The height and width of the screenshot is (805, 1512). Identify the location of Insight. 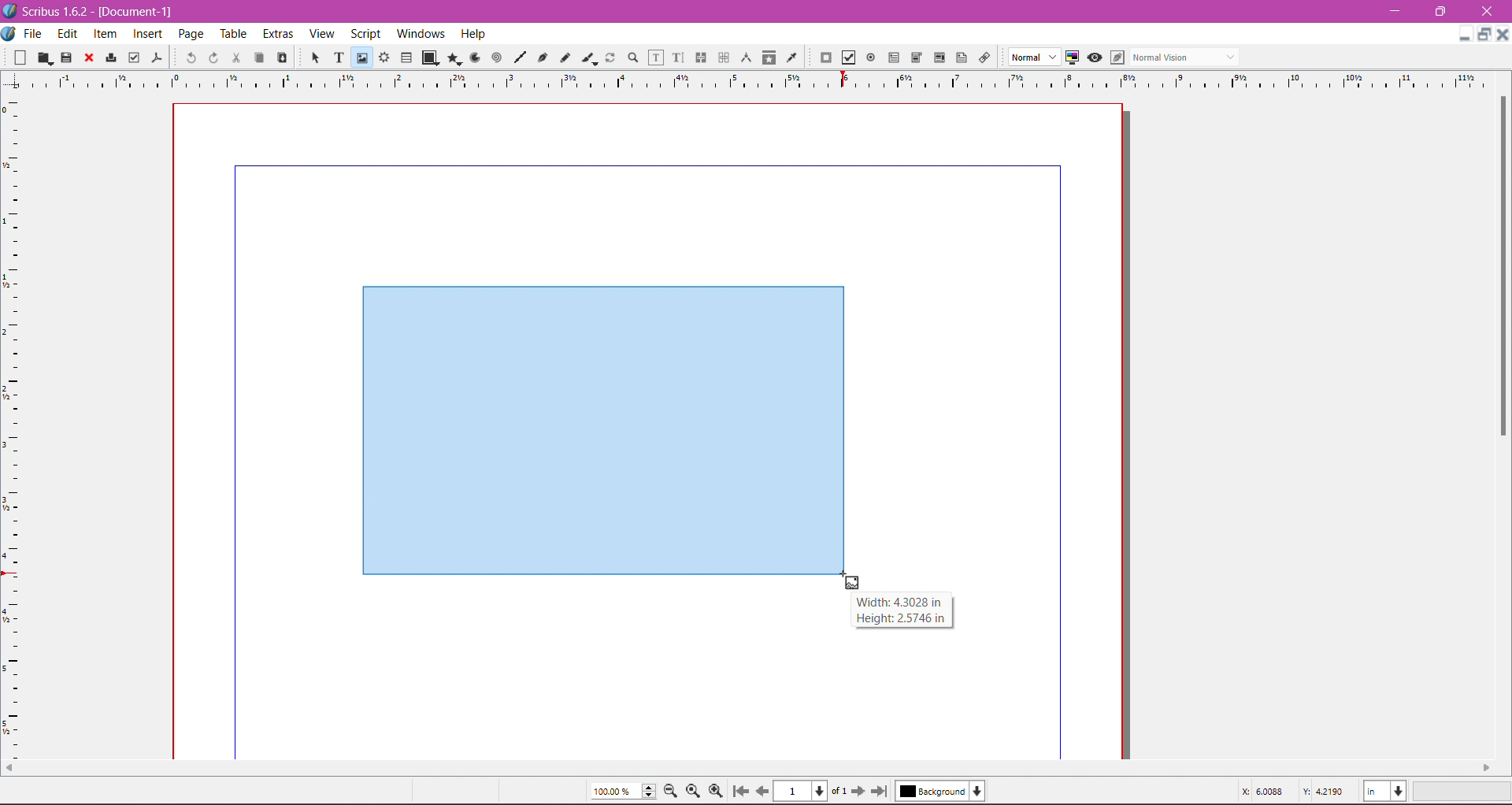
(146, 35).